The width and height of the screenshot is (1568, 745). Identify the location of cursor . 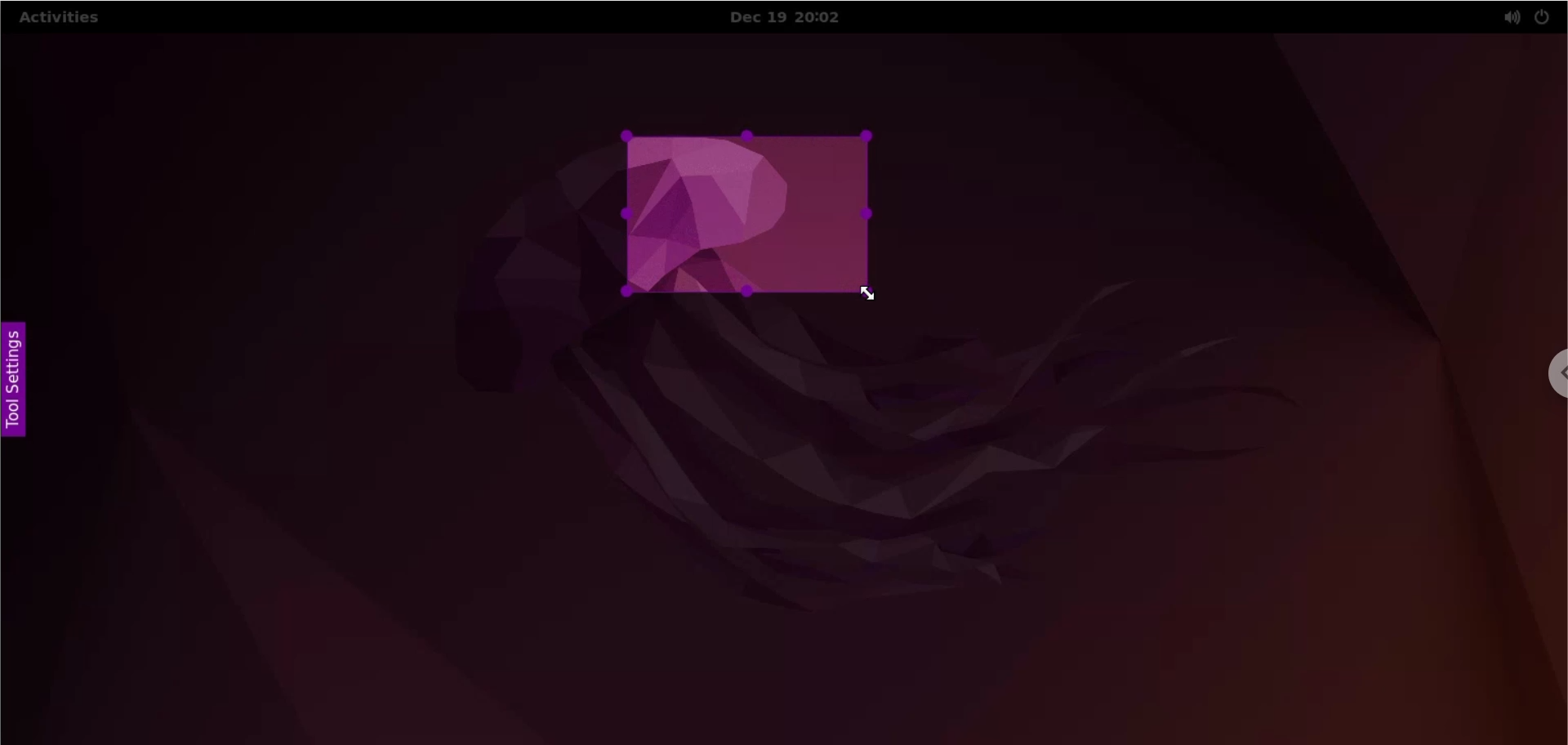
(873, 297).